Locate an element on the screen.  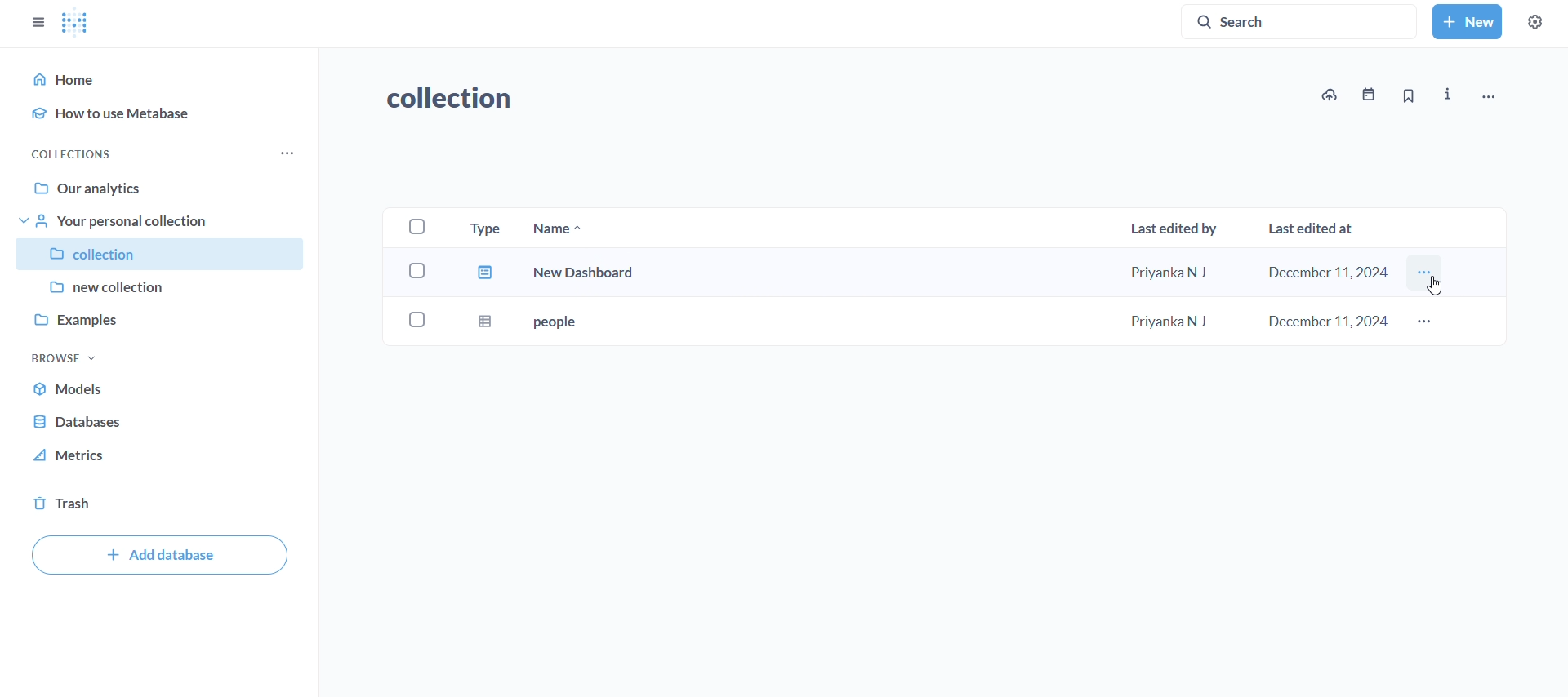
logo is located at coordinates (76, 24).